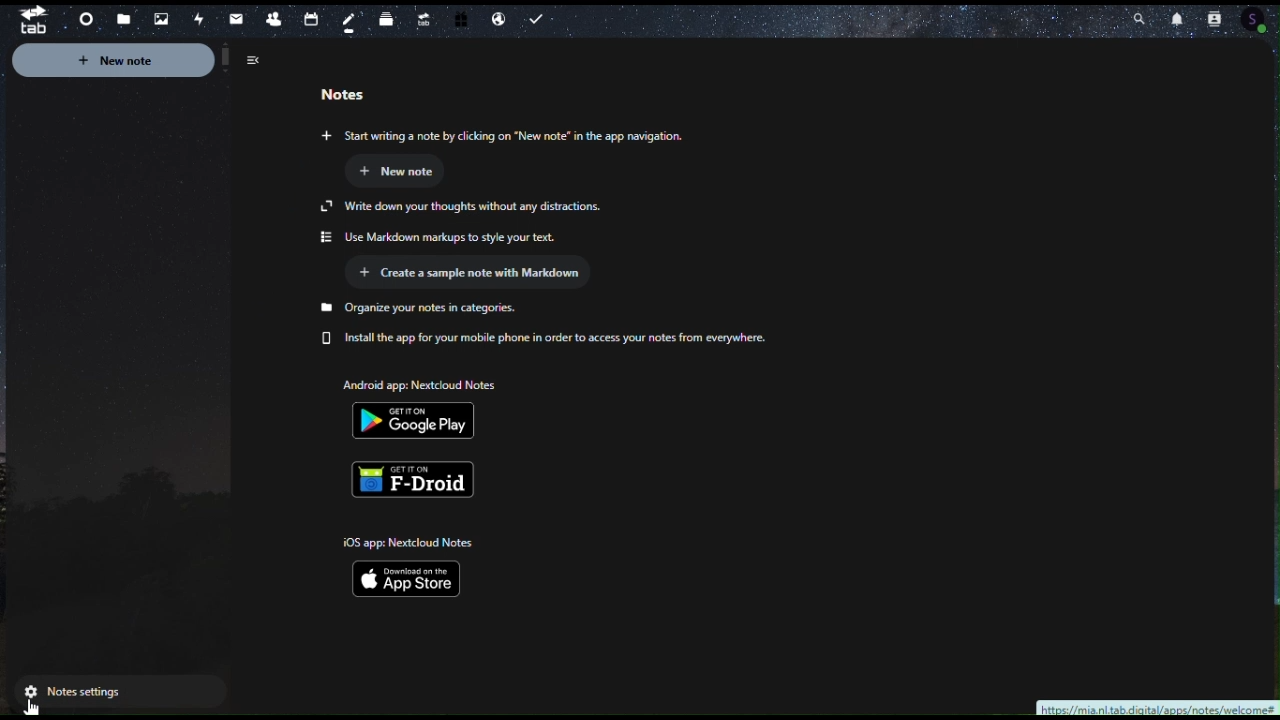  What do you see at coordinates (1157, 707) in the screenshot?
I see `URL` at bounding box center [1157, 707].